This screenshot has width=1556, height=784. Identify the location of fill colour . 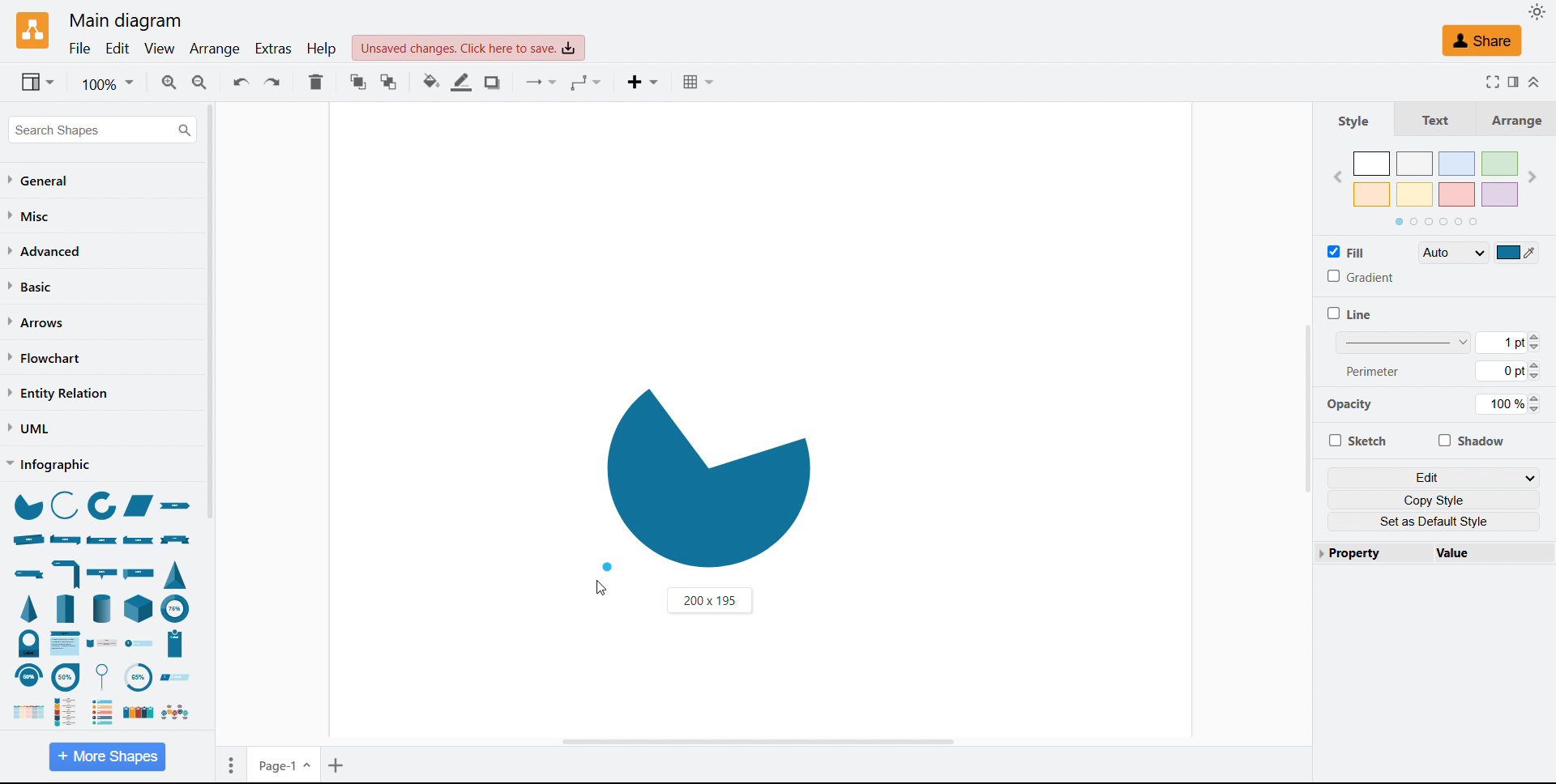
(1517, 252).